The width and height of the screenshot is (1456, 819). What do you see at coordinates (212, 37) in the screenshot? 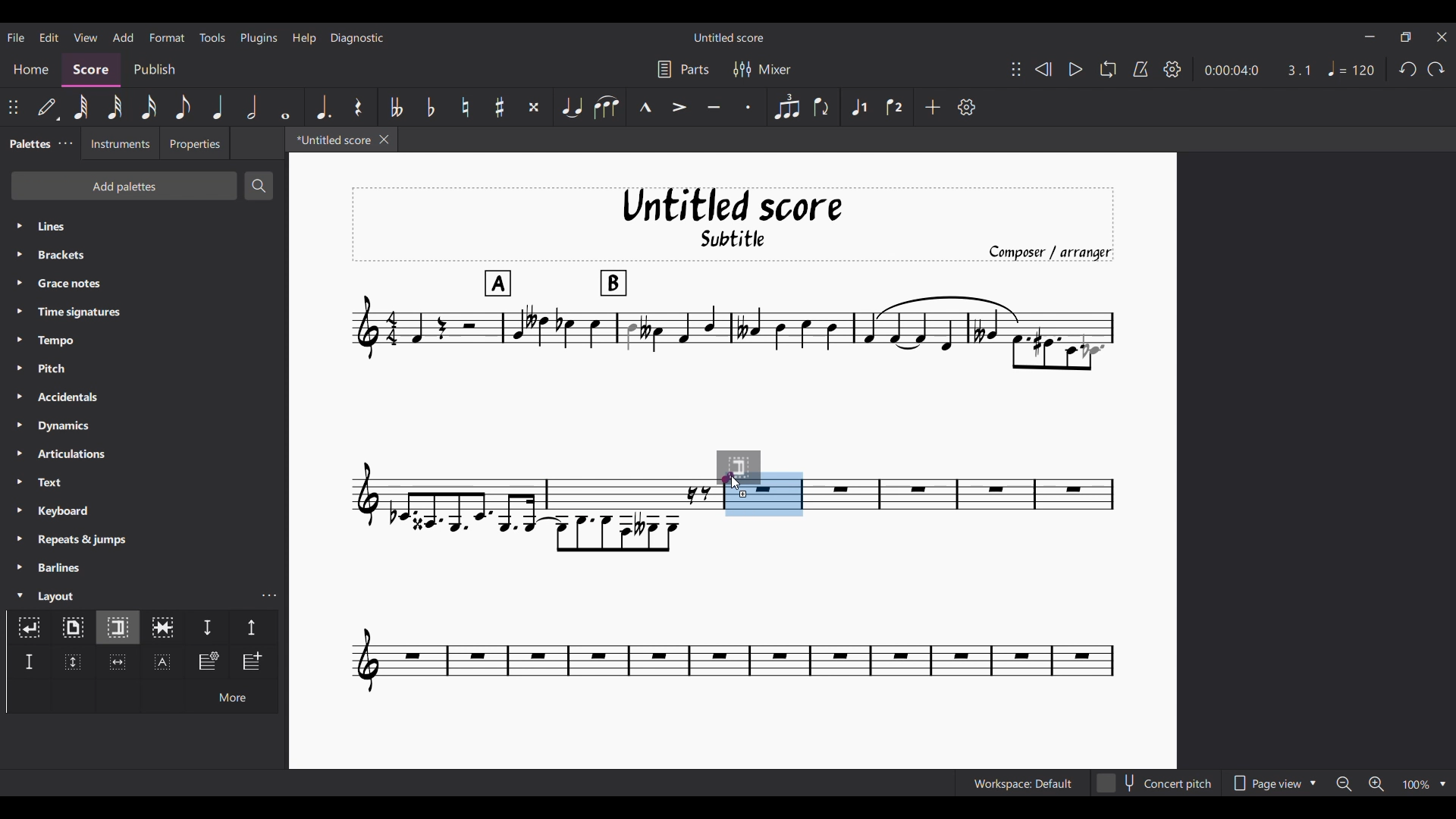
I see `Tools menu` at bounding box center [212, 37].